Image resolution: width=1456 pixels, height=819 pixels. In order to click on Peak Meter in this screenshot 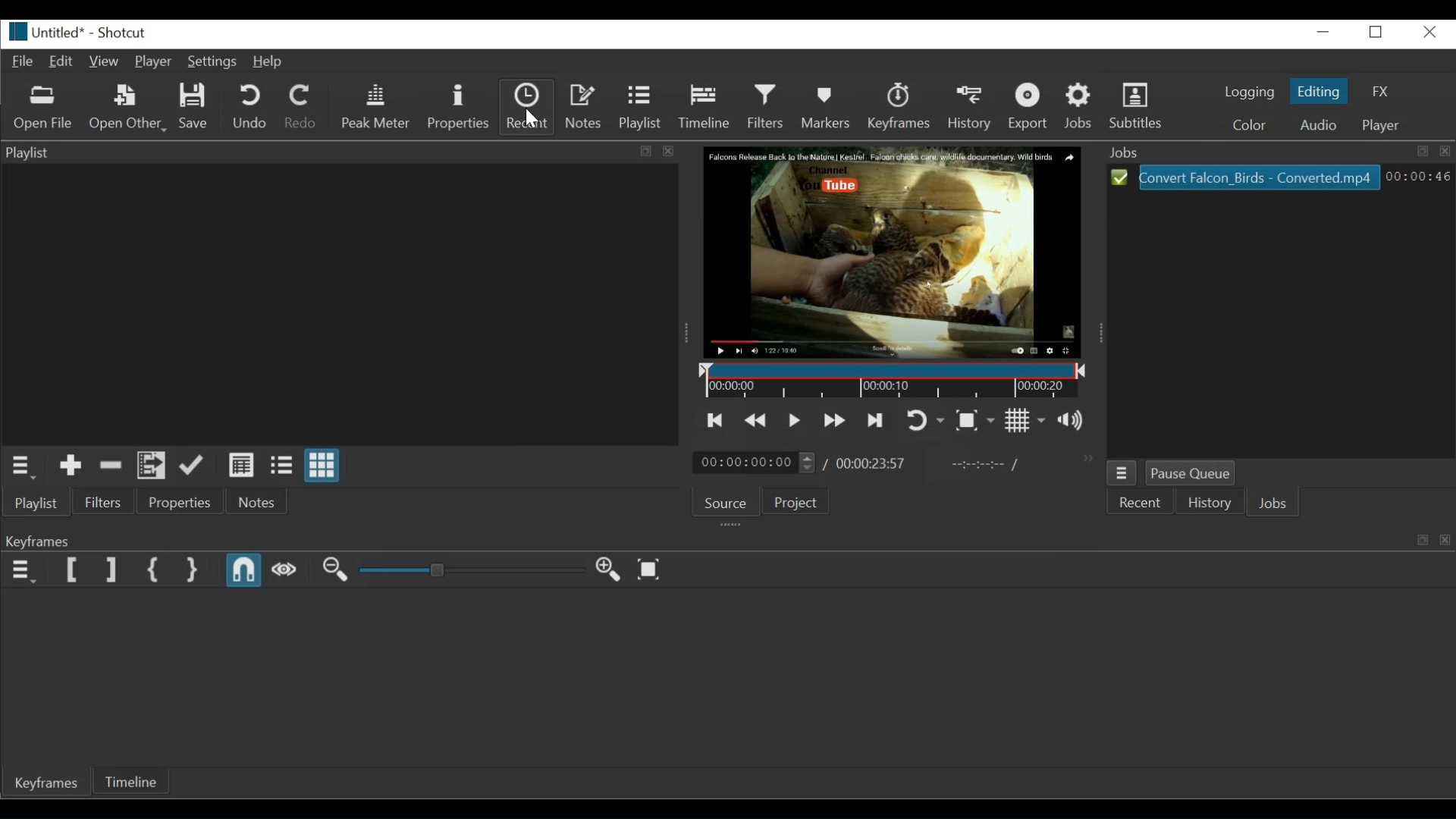, I will do `click(378, 106)`.